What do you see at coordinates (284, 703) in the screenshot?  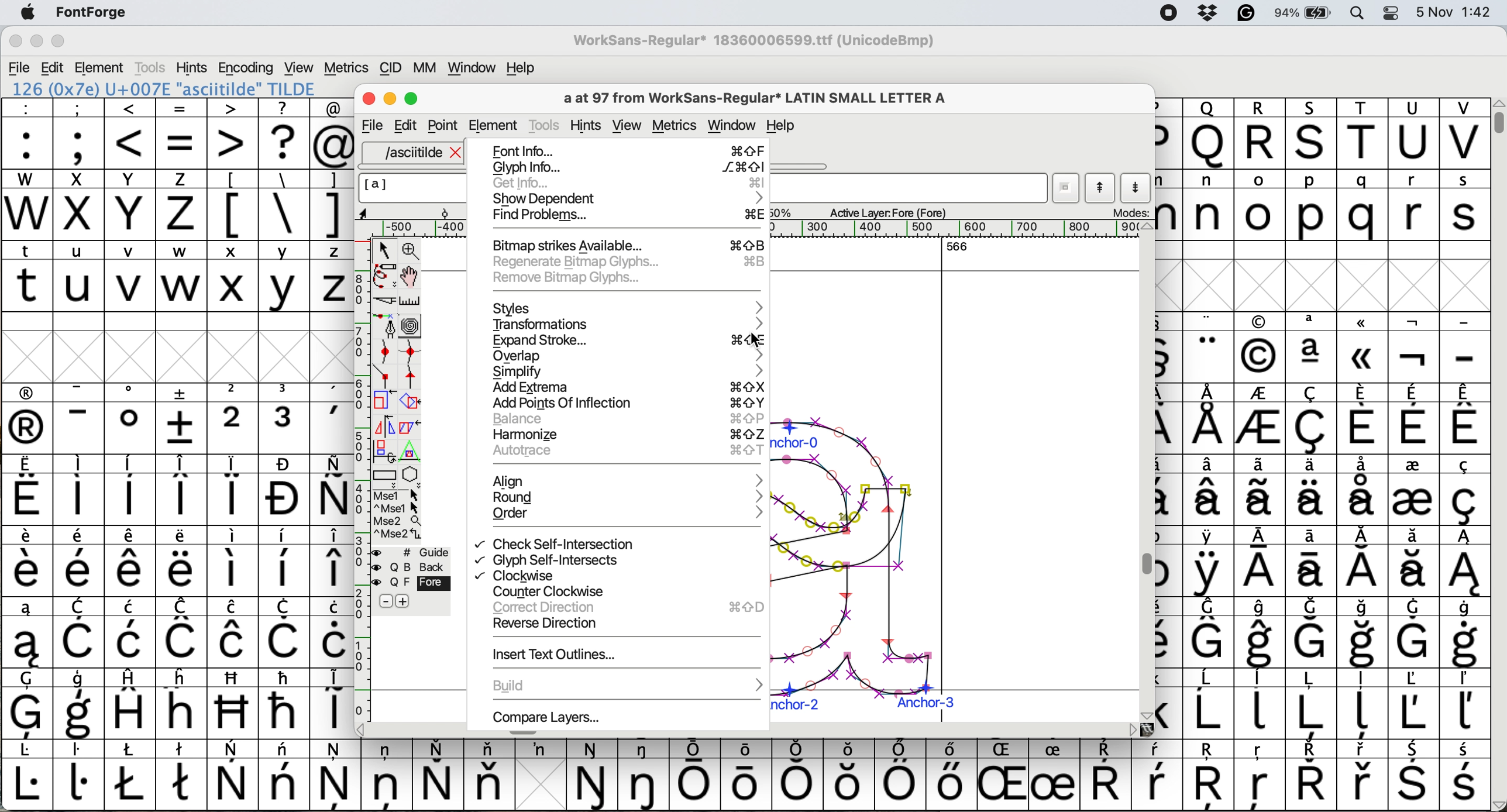 I see `symbol` at bounding box center [284, 703].